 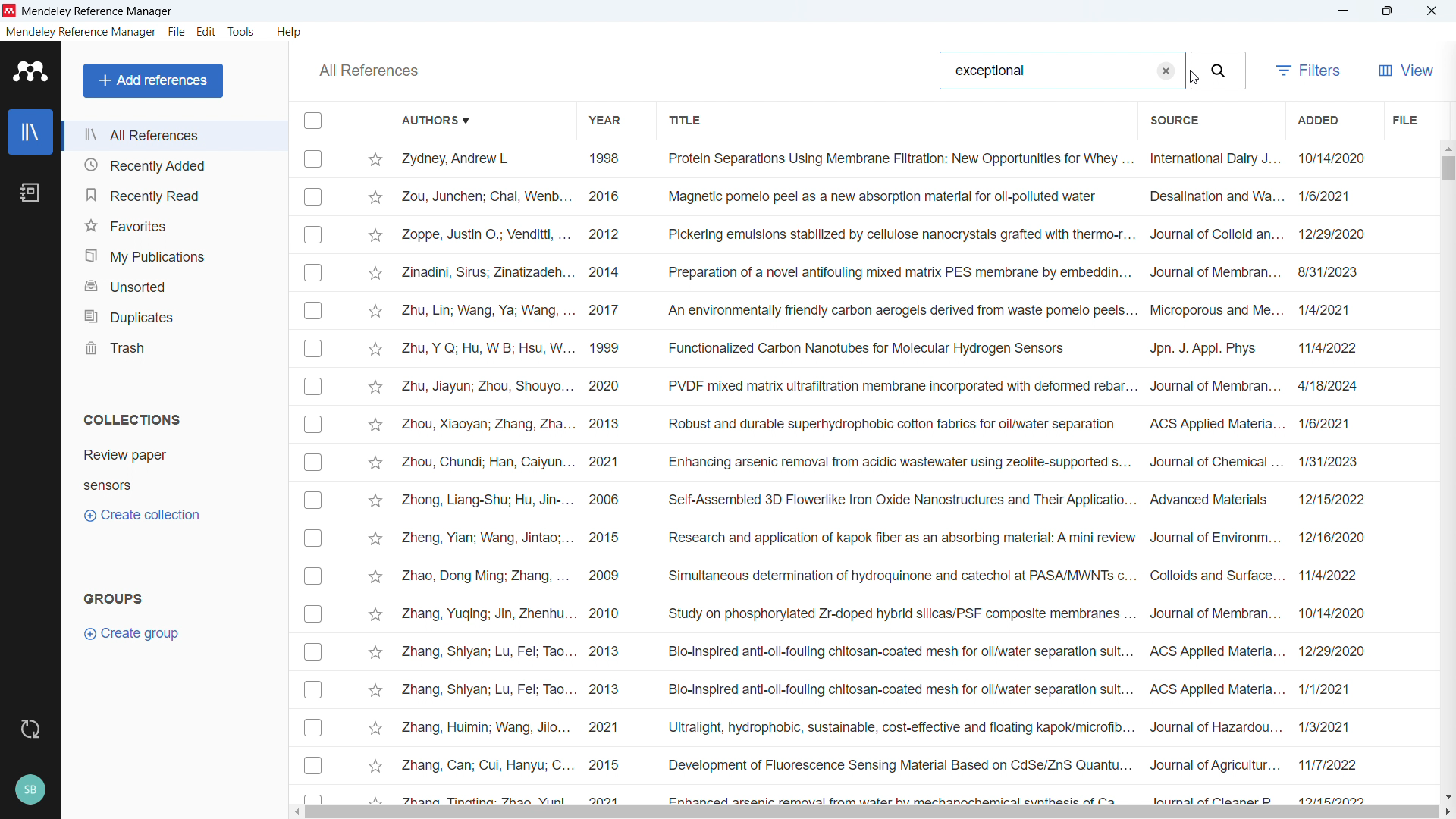 I want to click on library, so click(x=30, y=131).